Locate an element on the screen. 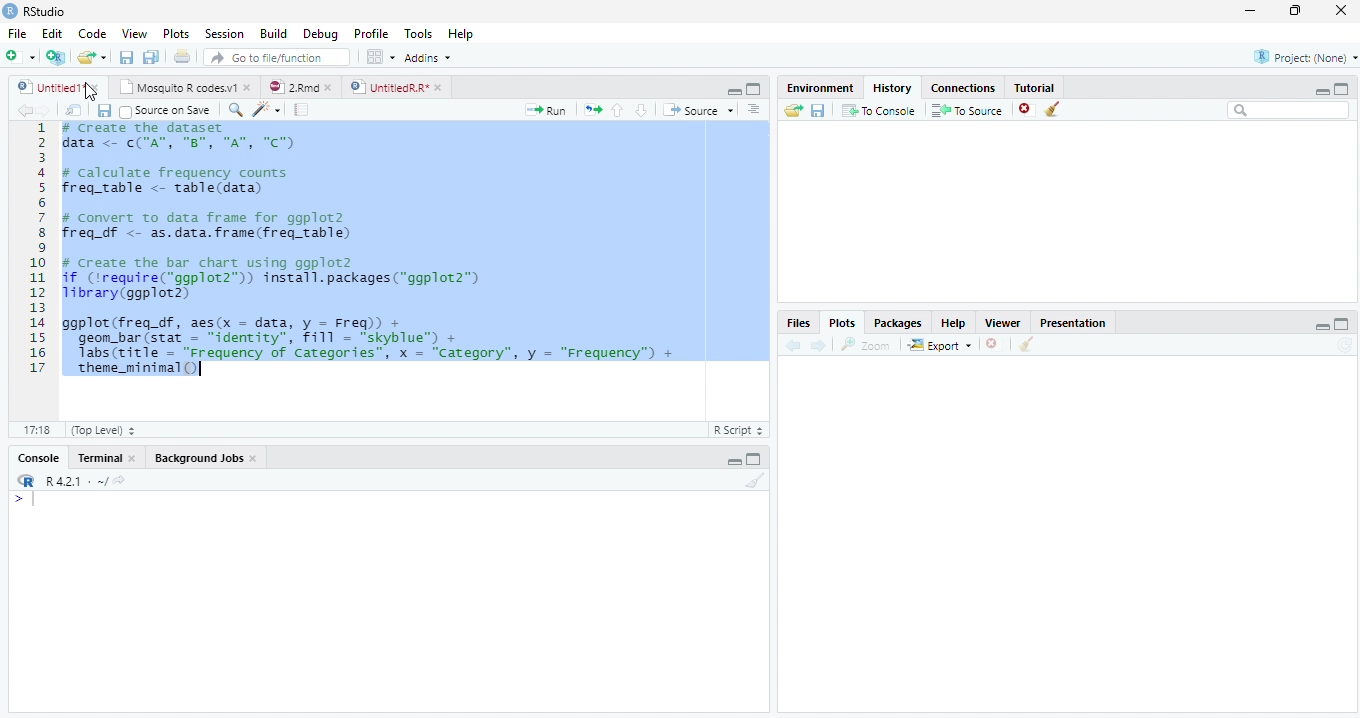 Image resolution: width=1360 pixels, height=718 pixels. Close is located at coordinates (1340, 11).